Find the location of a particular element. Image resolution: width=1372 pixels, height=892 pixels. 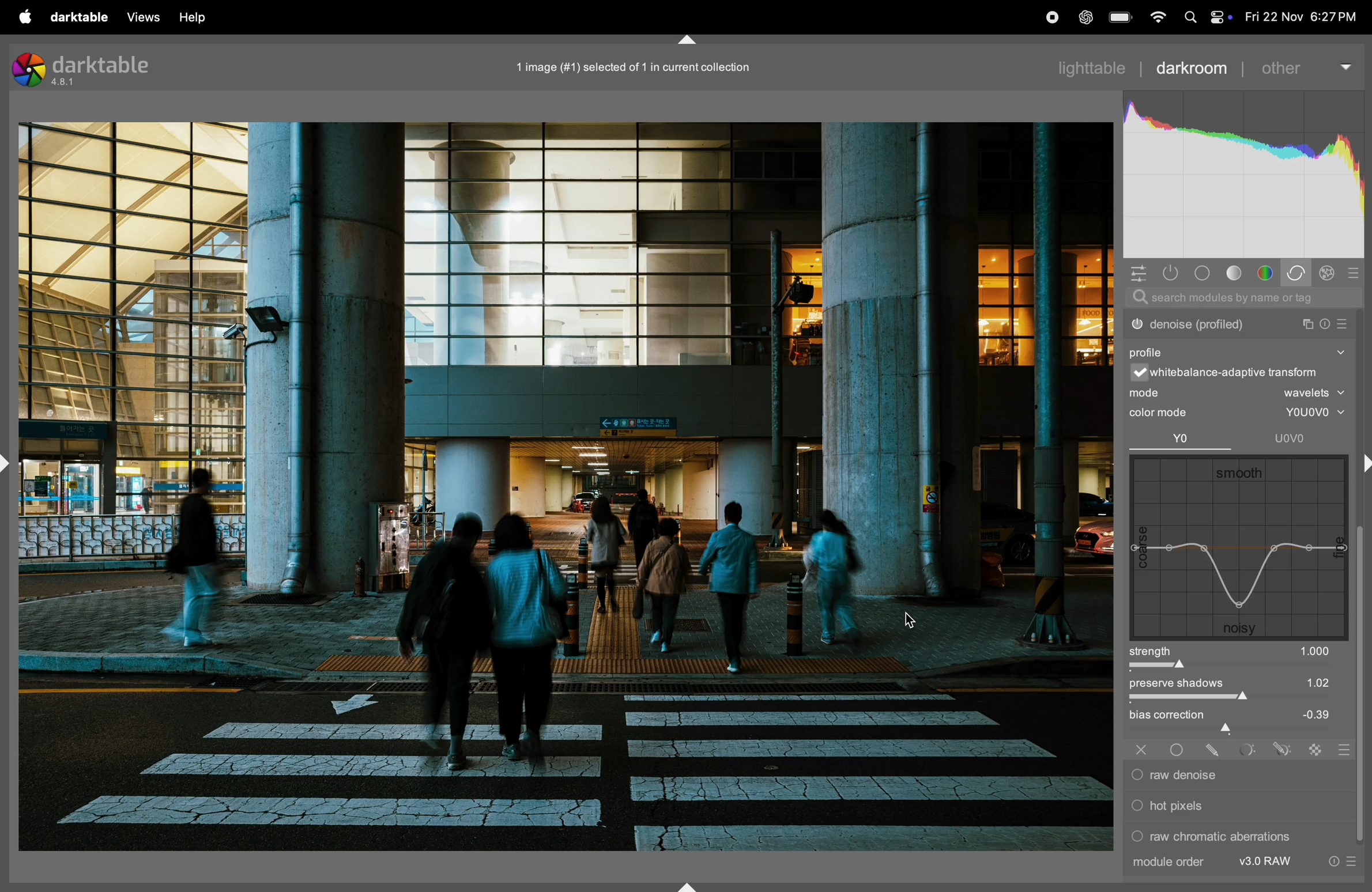

quick acess panel is located at coordinates (1139, 274).